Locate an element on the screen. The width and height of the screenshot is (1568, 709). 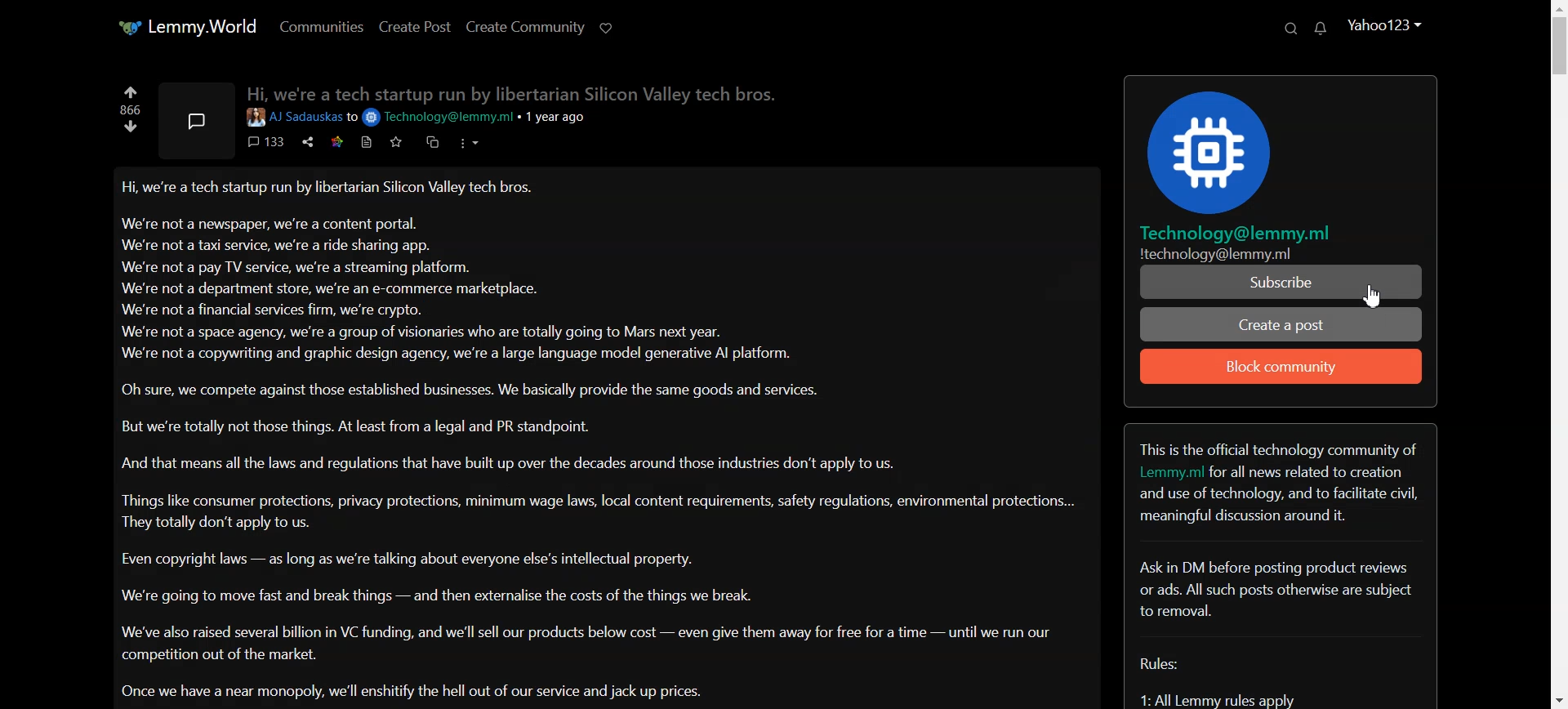
Home page is located at coordinates (188, 27).